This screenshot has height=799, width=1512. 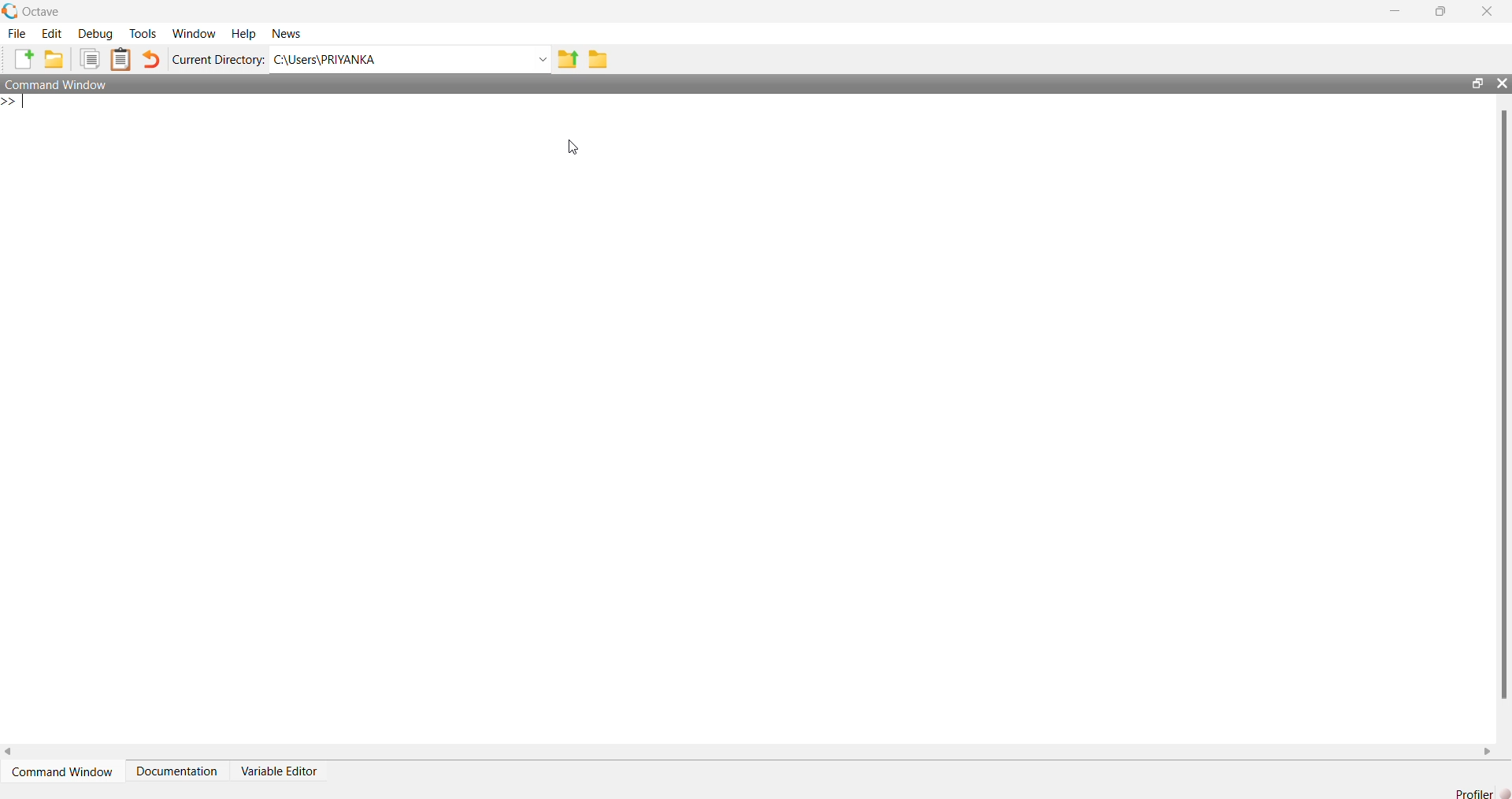 I want to click on close, so click(x=1502, y=83).